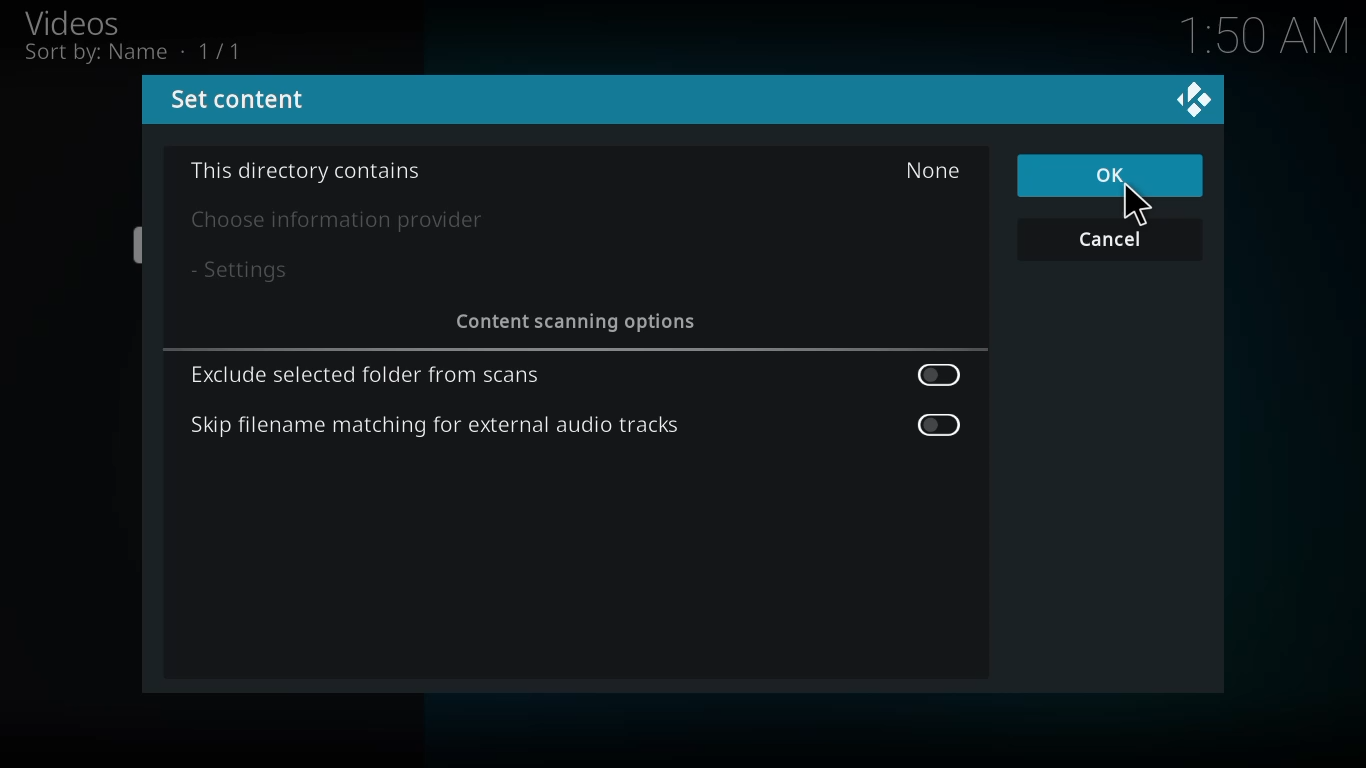  I want to click on cancel, so click(1124, 240).